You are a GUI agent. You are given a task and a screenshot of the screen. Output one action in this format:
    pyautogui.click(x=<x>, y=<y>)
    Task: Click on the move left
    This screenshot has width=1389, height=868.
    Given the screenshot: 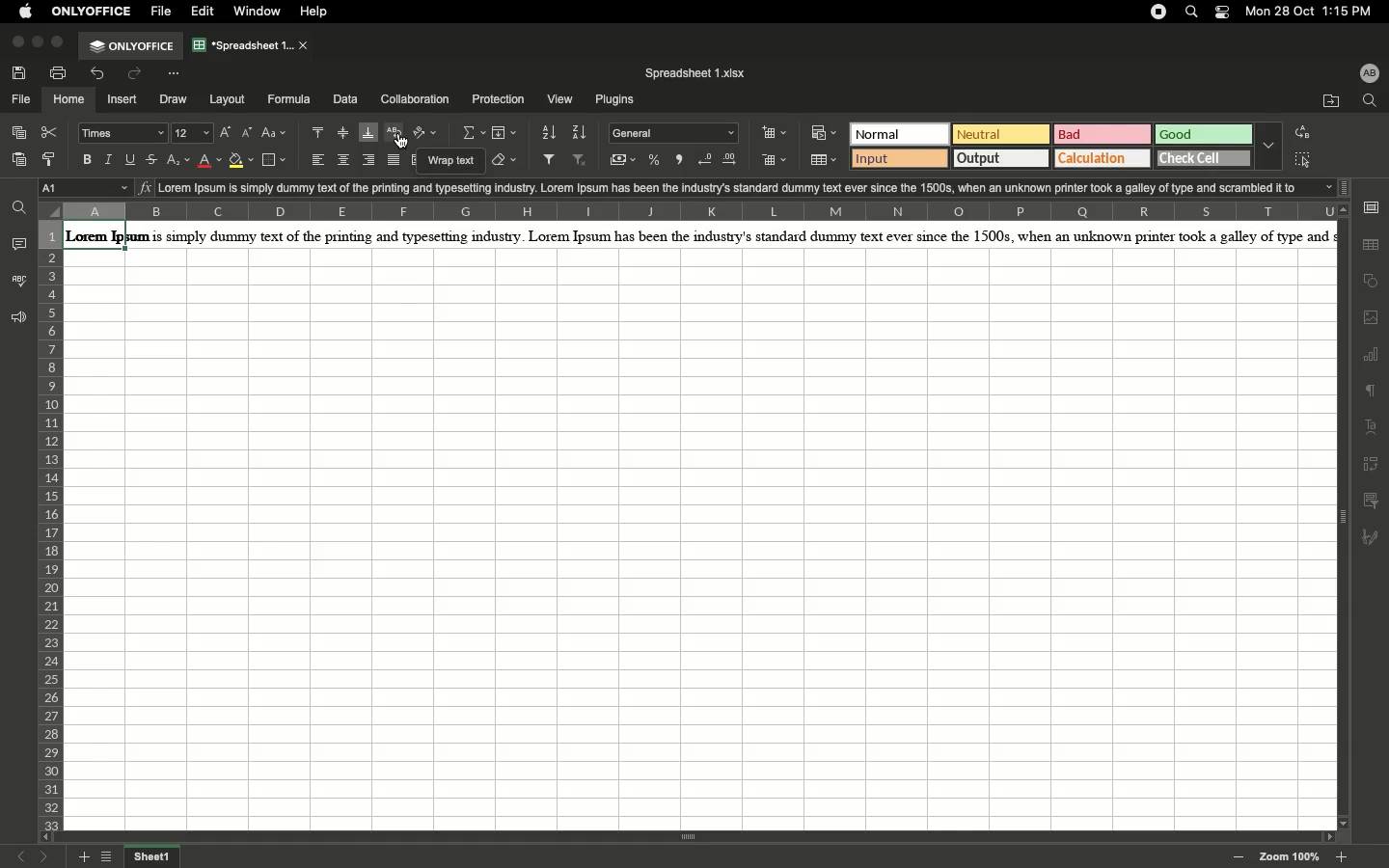 What is the action you would take?
    pyautogui.click(x=43, y=836)
    